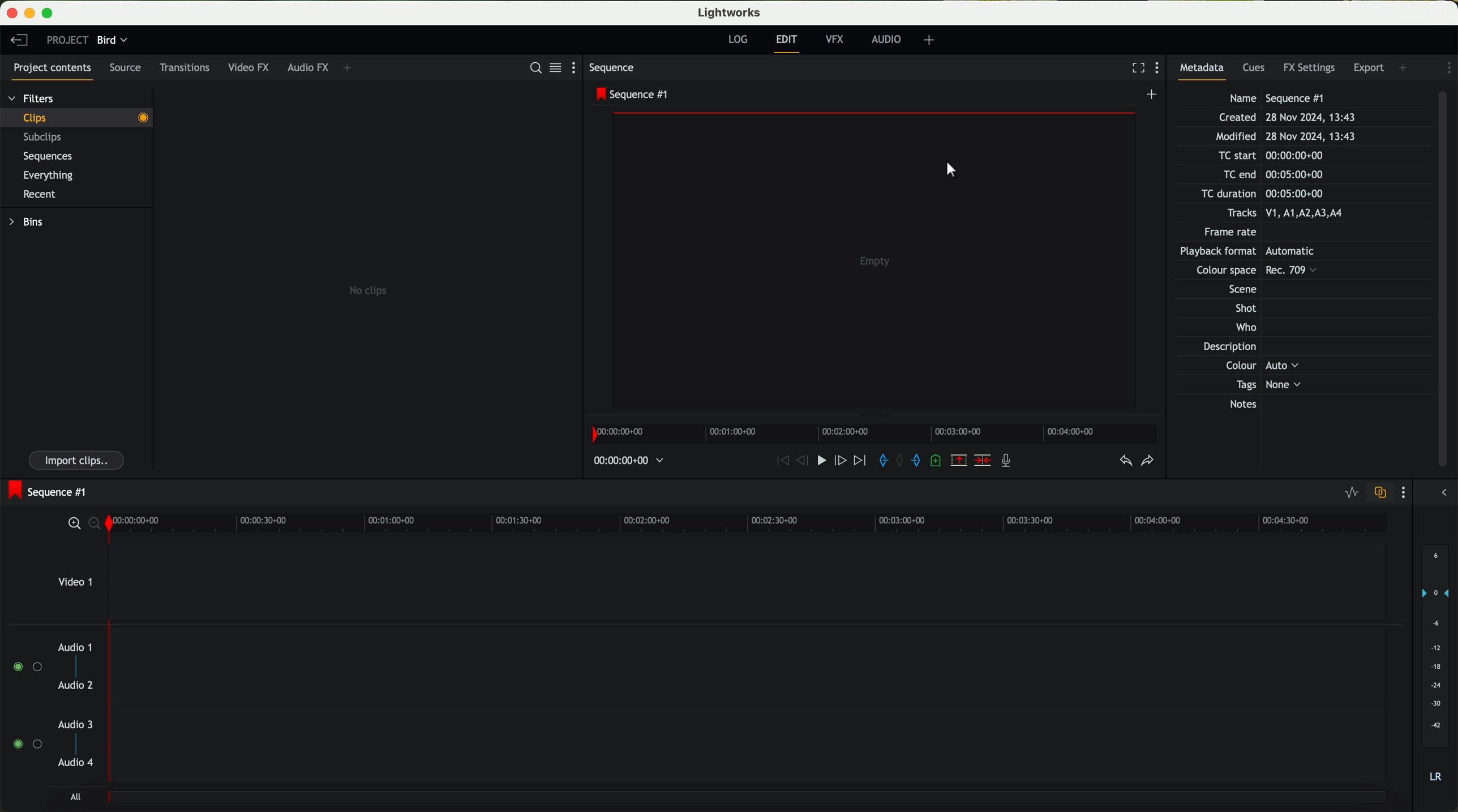  Describe the element at coordinates (949, 170) in the screenshot. I see `Mouse Cursor` at that location.